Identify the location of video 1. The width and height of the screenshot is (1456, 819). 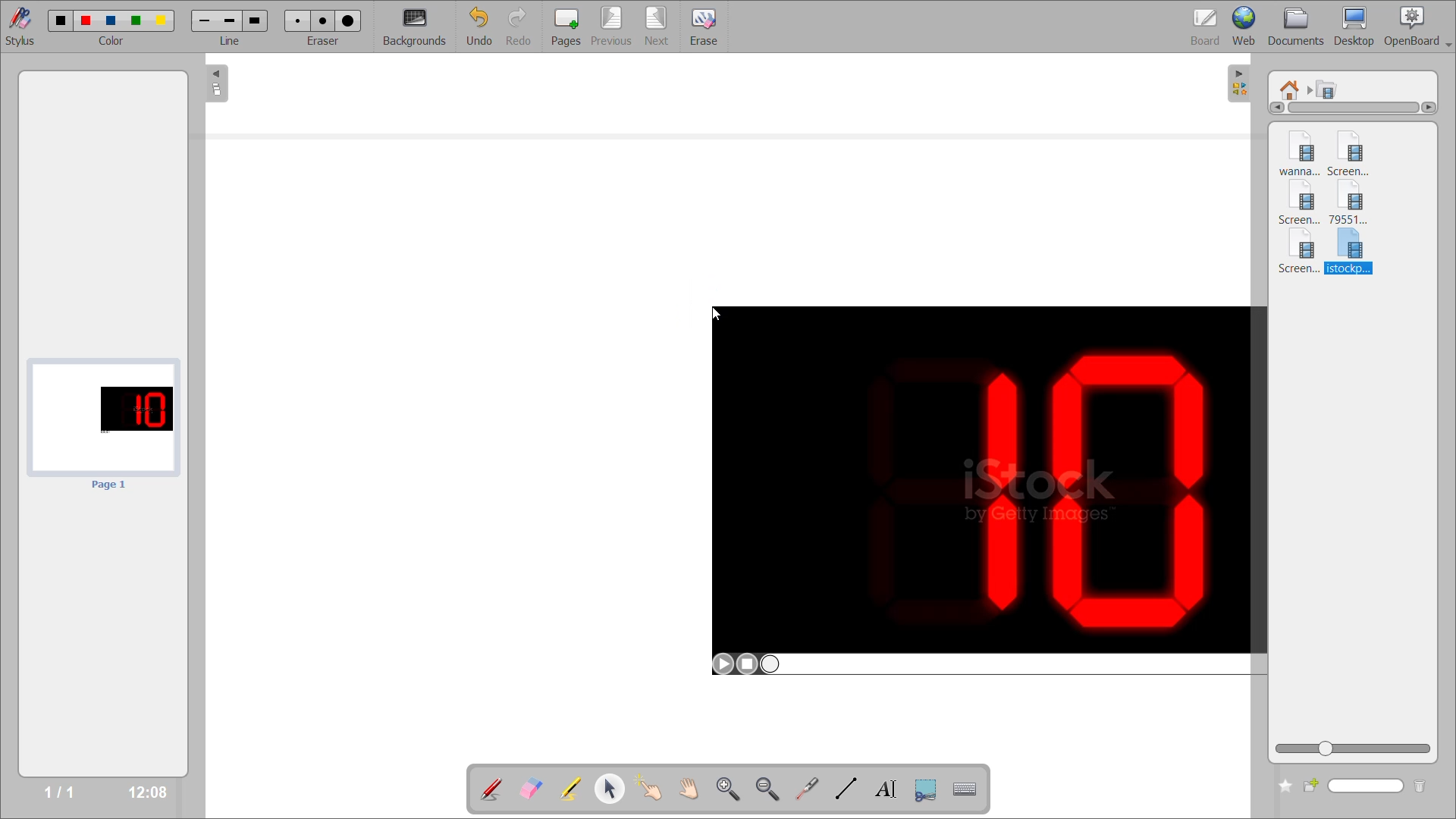
(1301, 150).